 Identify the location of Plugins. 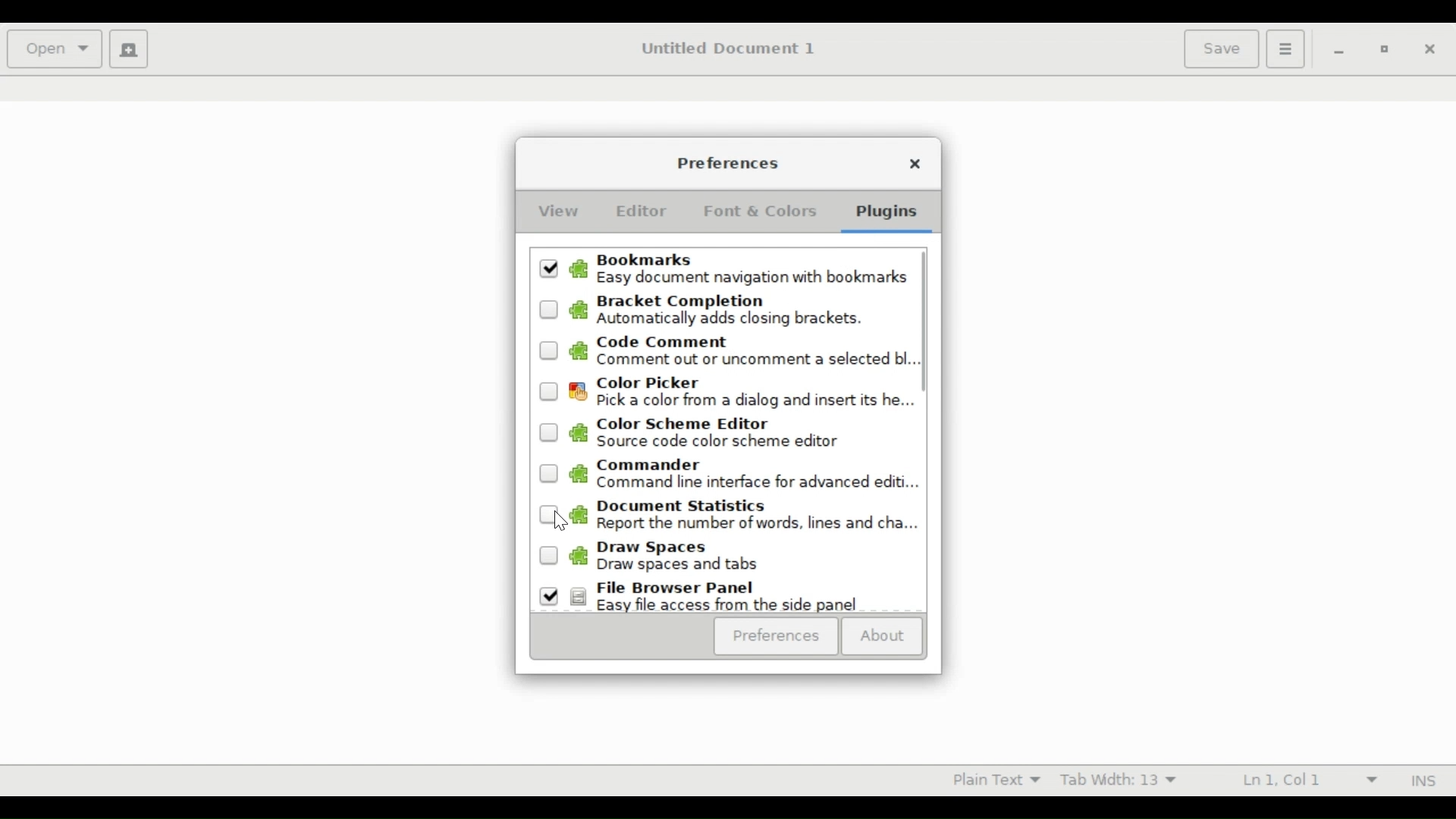
(885, 214).